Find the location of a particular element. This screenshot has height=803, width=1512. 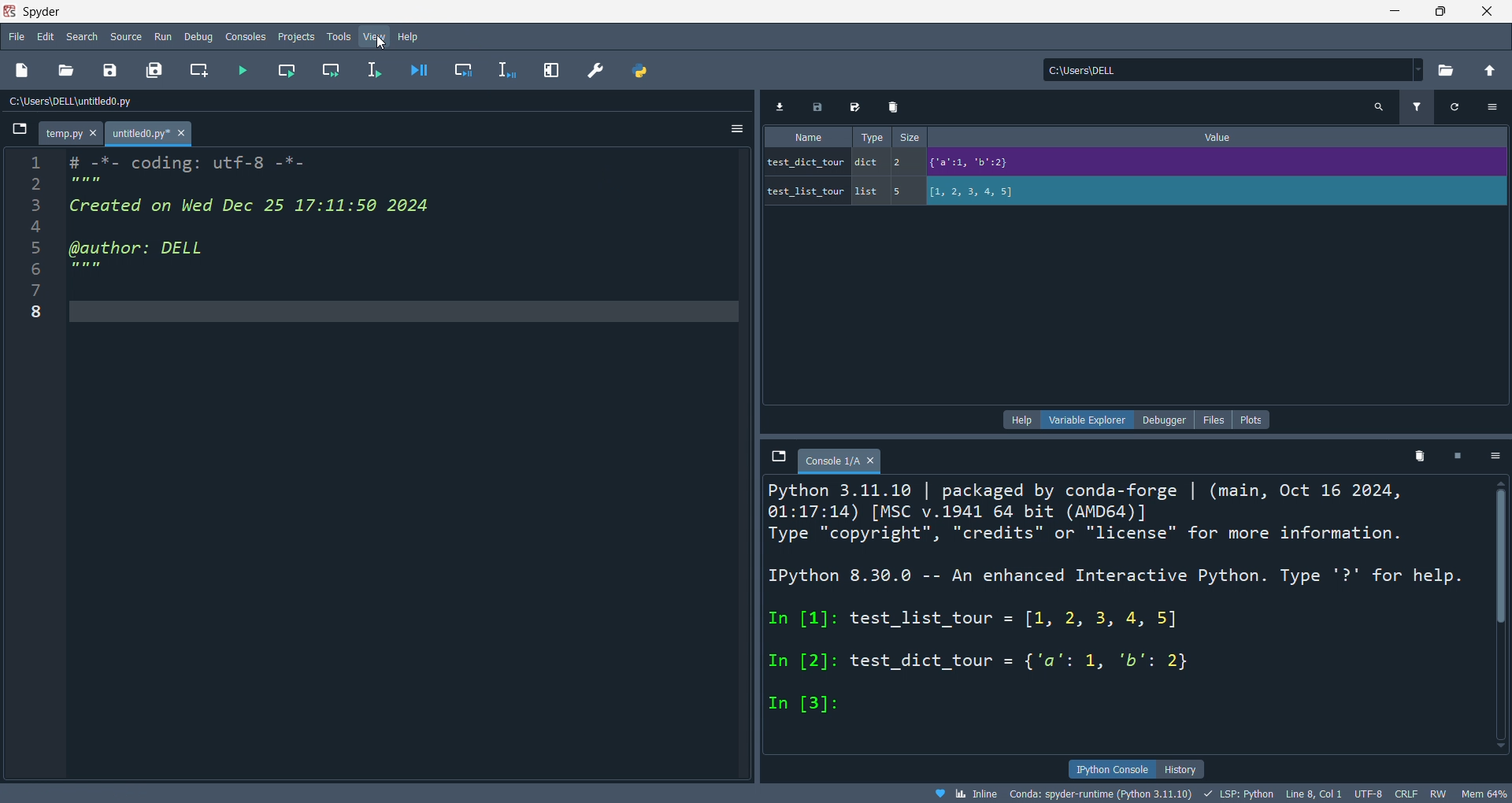

preference is located at coordinates (595, 70).